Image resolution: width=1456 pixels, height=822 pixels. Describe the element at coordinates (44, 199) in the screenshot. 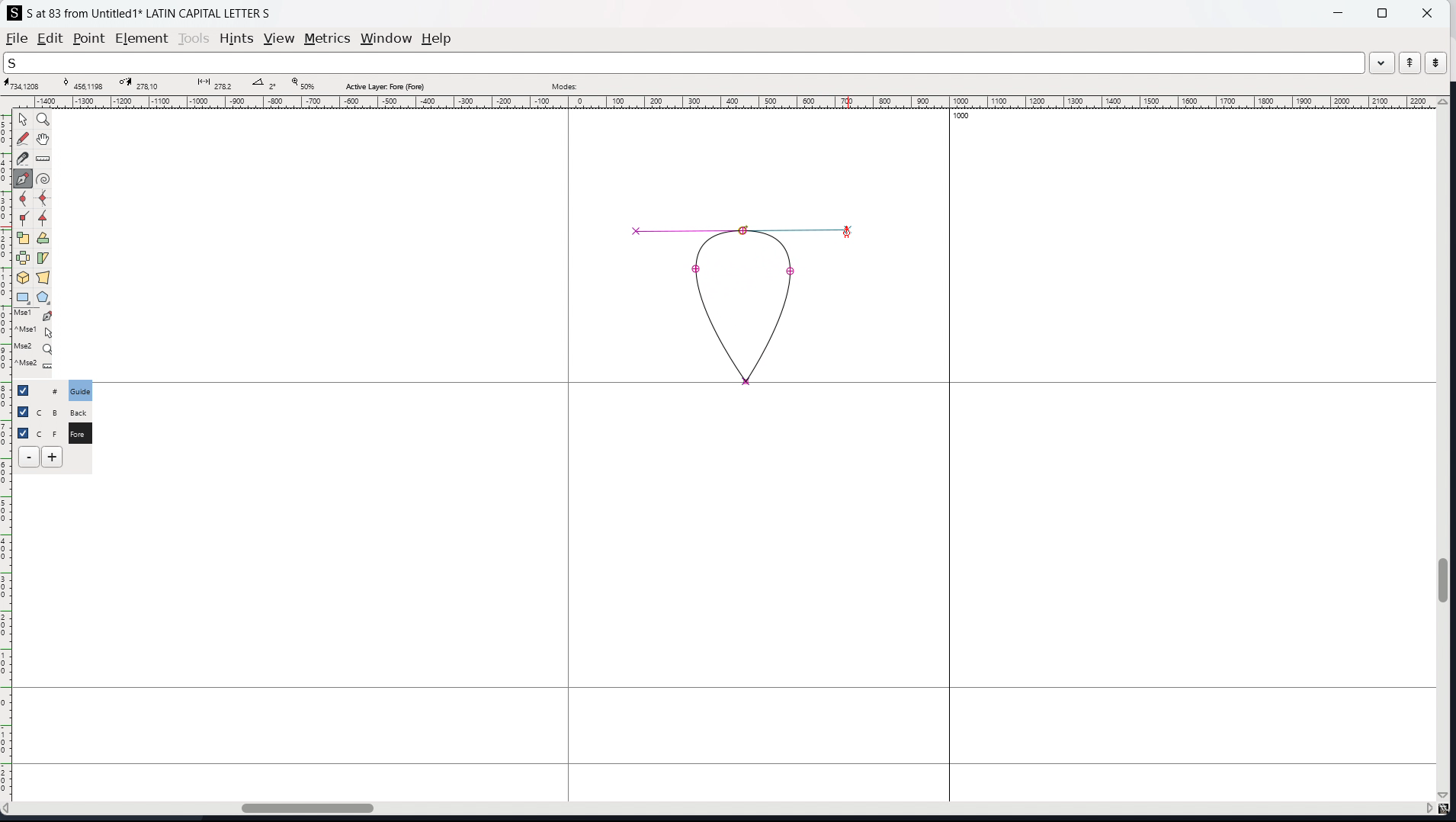

I see `add a curve point always either vertically or horizontally` at that location.